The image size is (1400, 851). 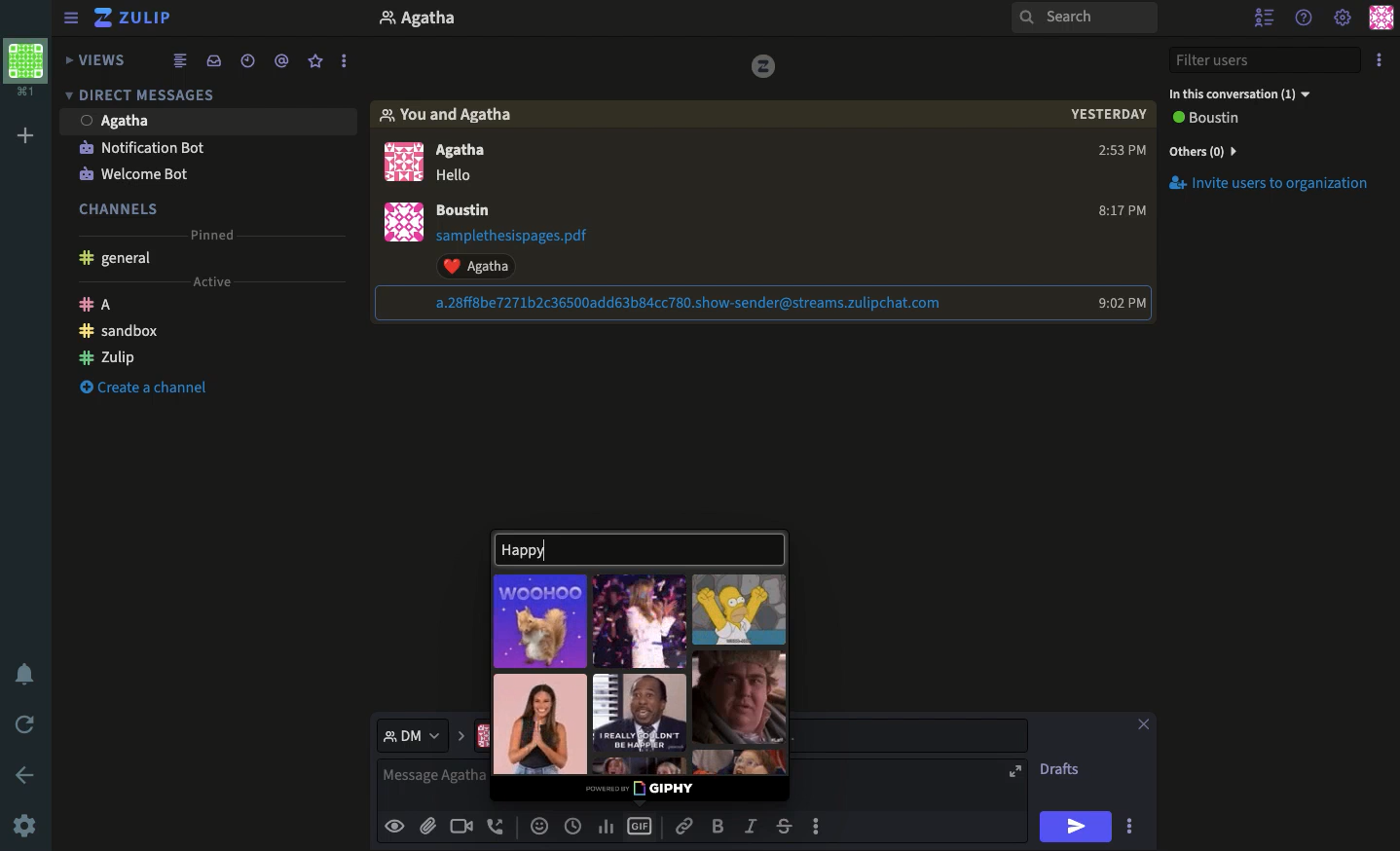 What do you see at coordinates (28, 66) in the screenshot?
I see `Workspace profile` at bounding box center [28, 66].